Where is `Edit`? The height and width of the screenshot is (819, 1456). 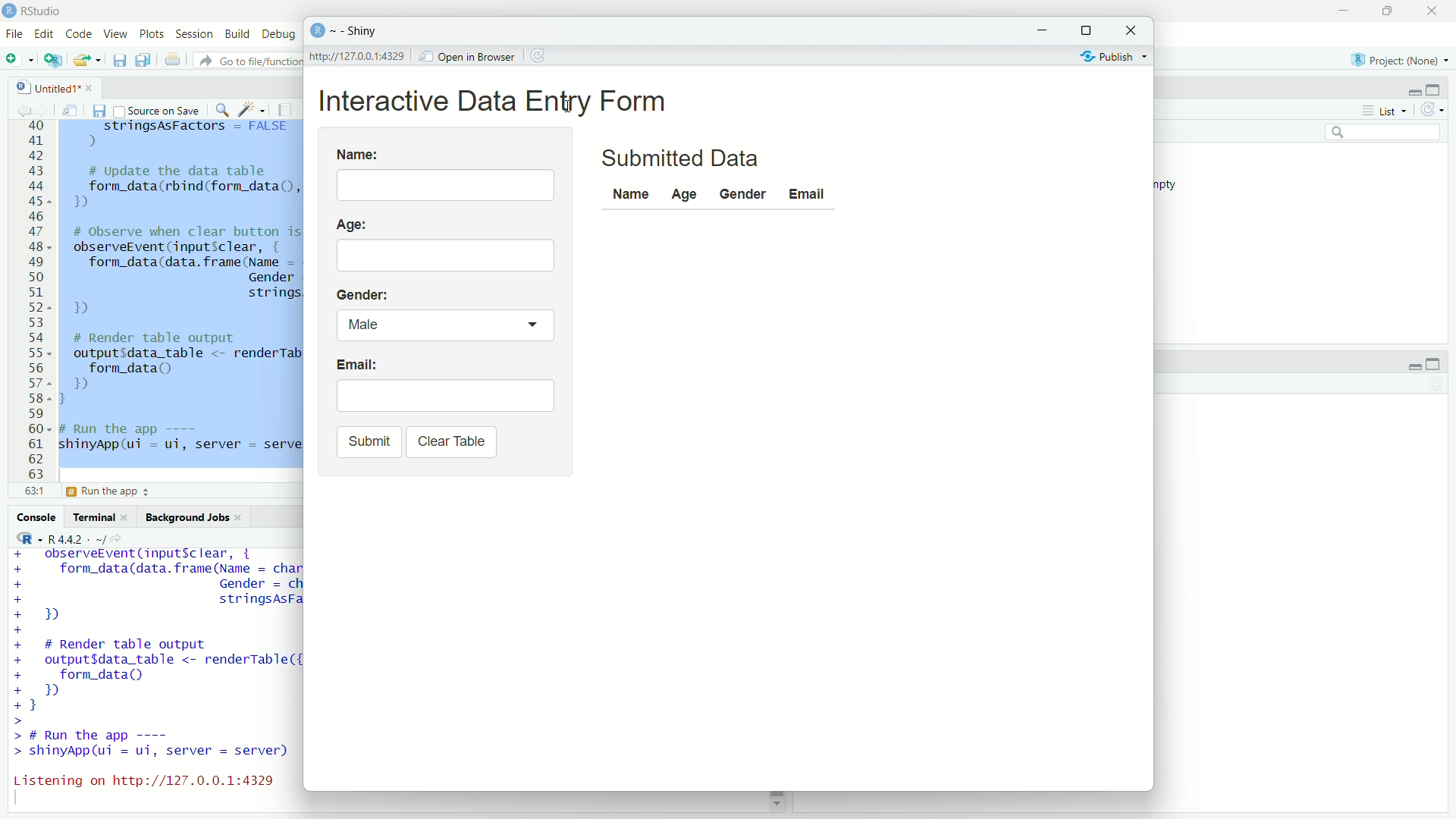
Edit is located at coordinates (45, 32).